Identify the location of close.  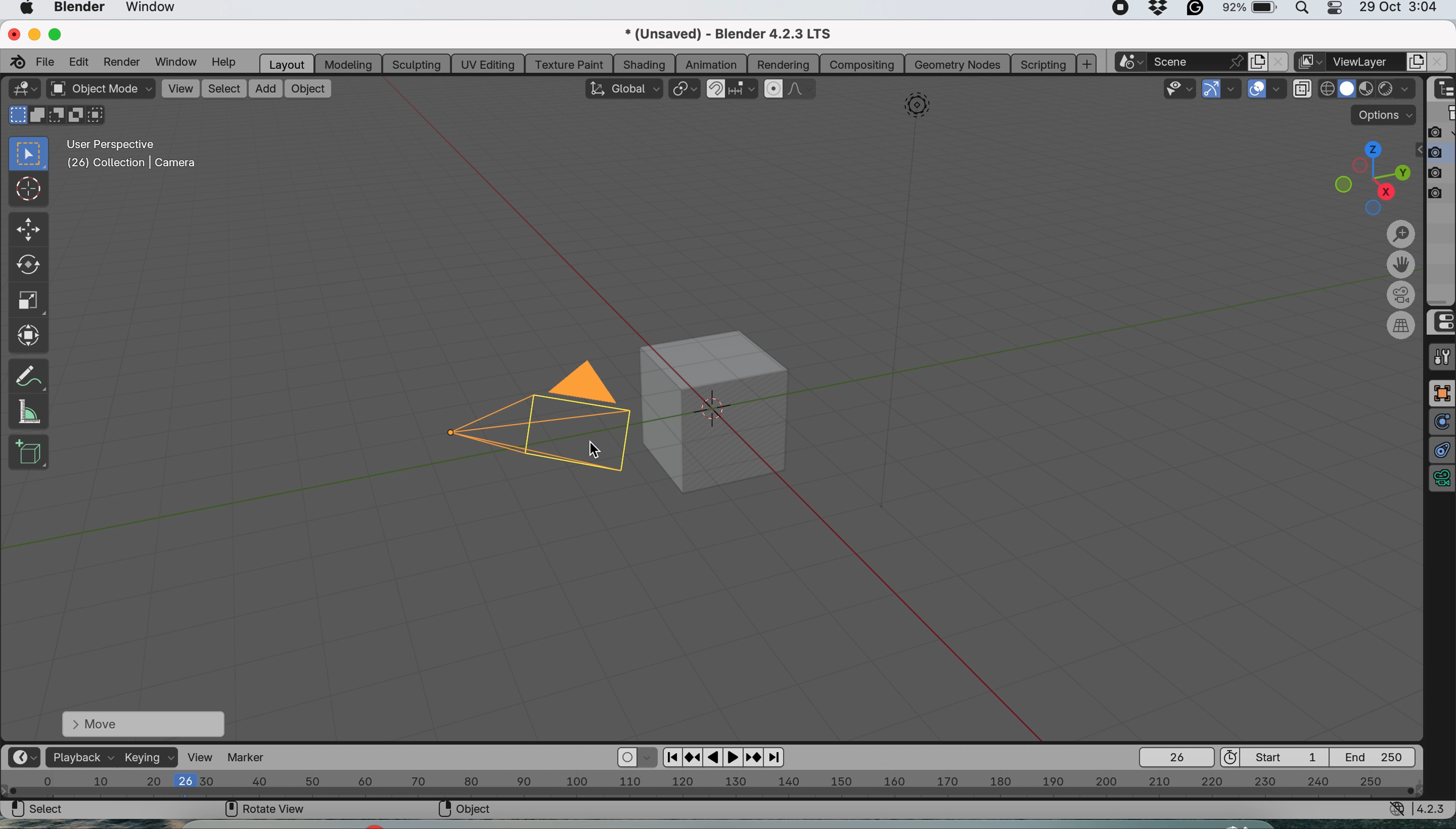
(1436, 63).